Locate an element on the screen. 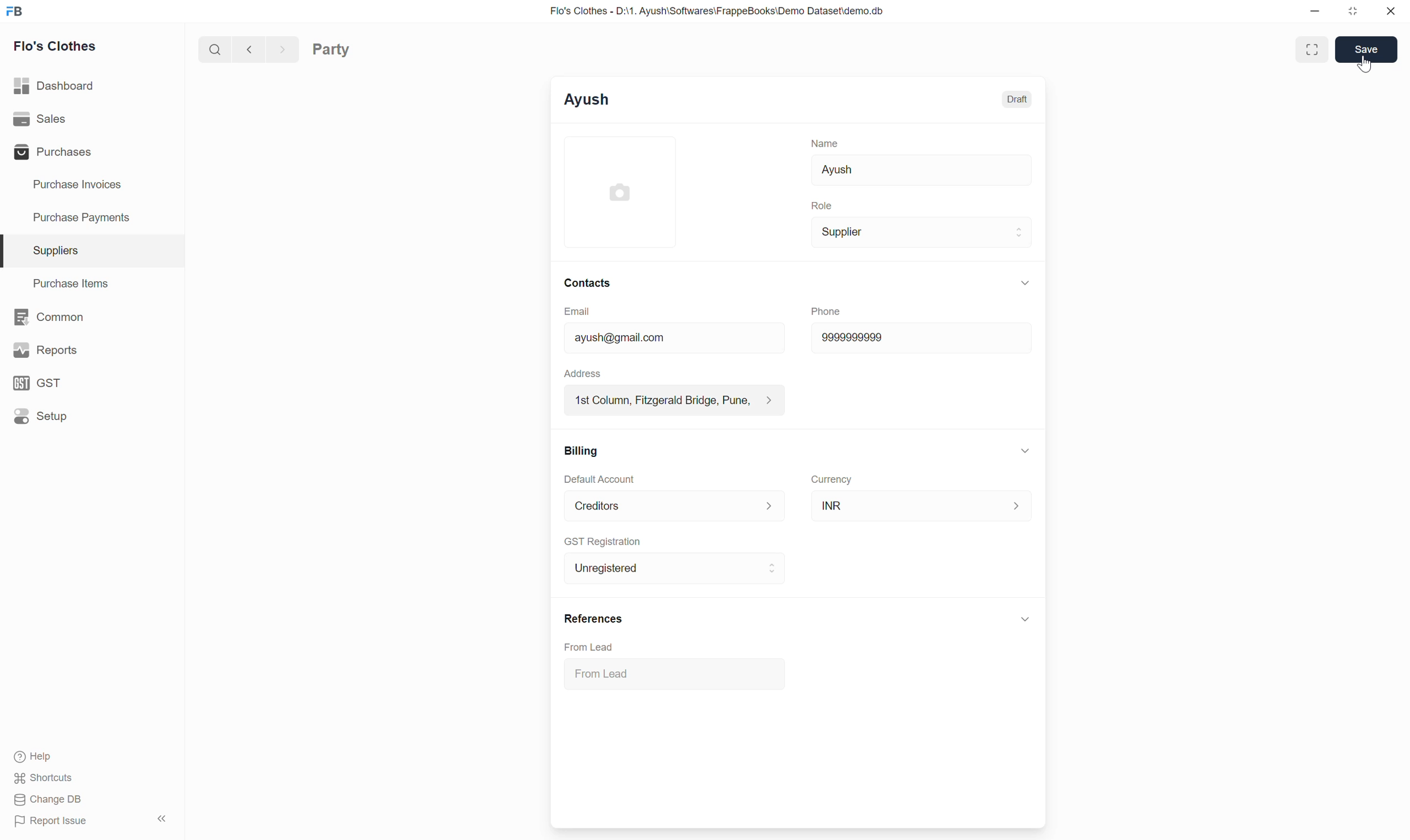 Image resolution: width=1410 pixels, height=840 pixels. Collapse sidebar is located at coordinates (162, 818).